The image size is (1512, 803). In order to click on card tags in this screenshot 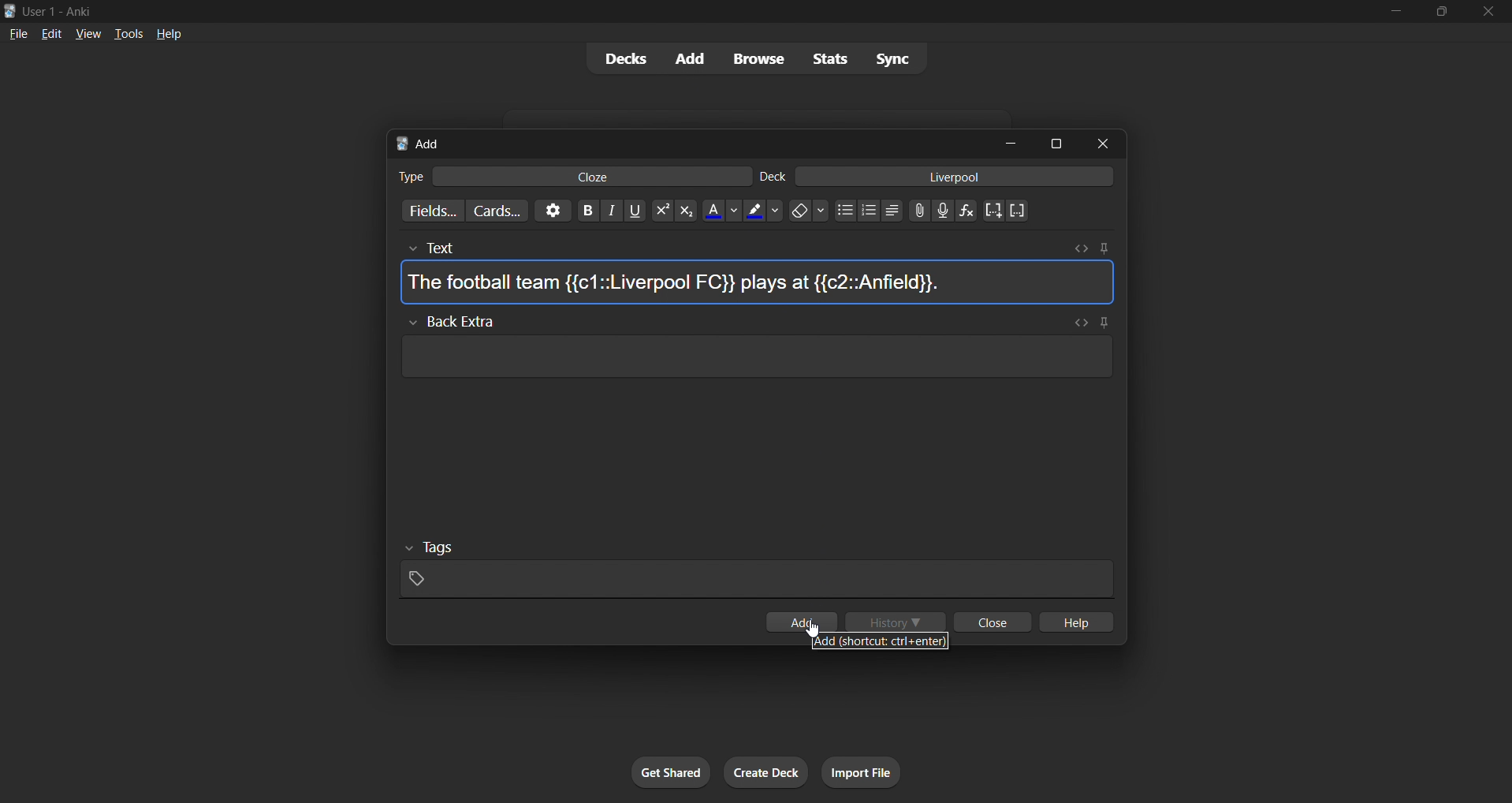, I will do `click(758, 570)`.